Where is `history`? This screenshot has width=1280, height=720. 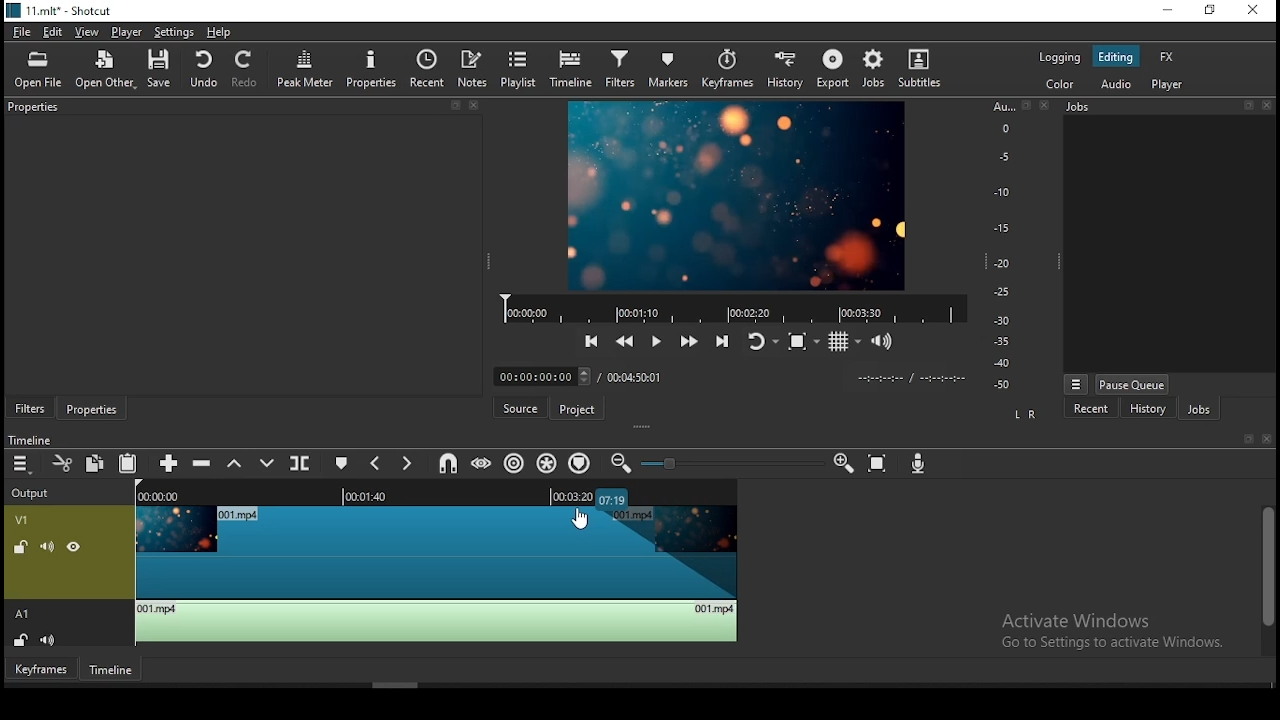
history is located at coordinates (1139, 410).